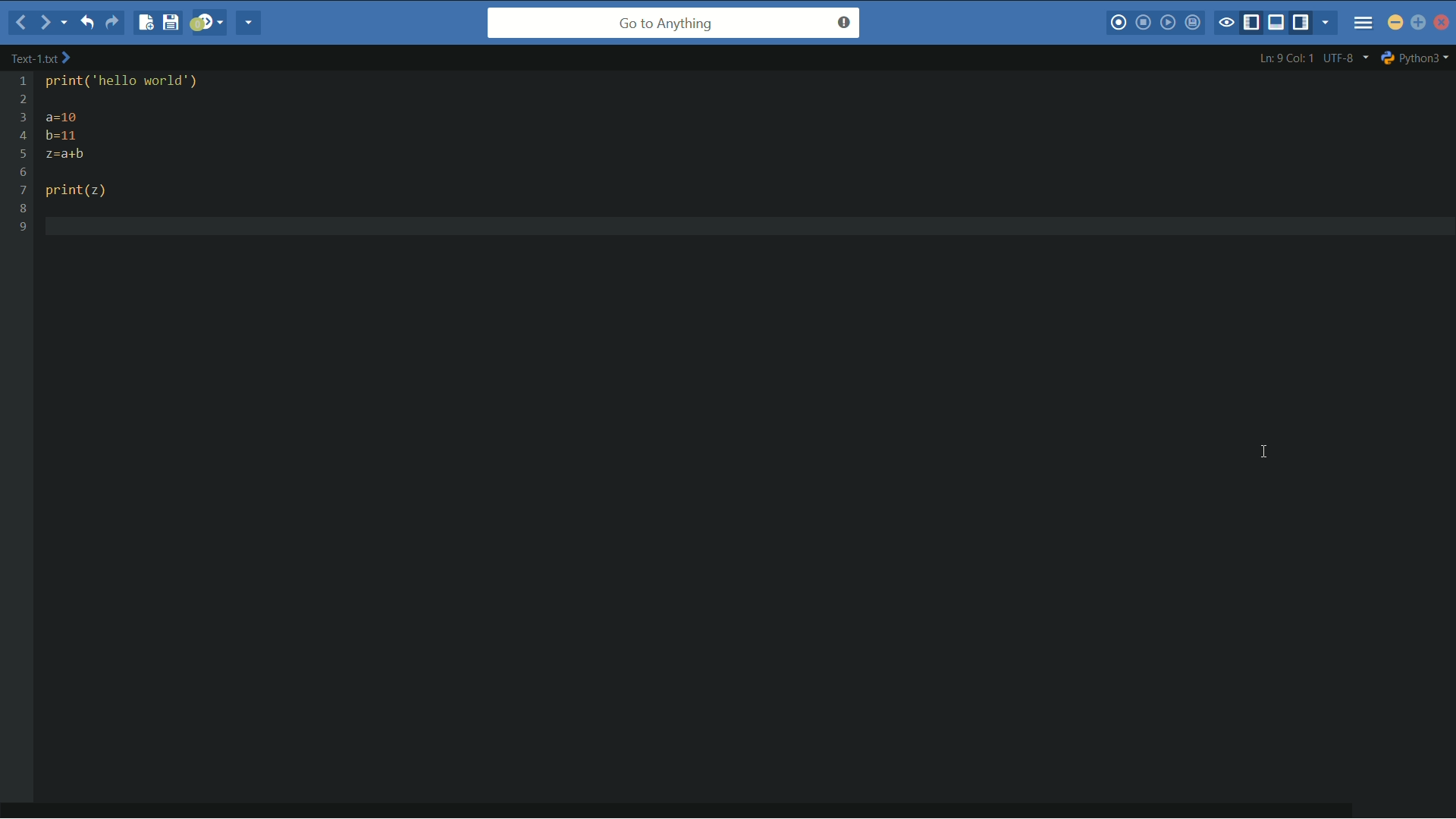  What do you see at coordinates (143, 23) in the screenshot?
I see `new file` at bounding box center [143, 23].